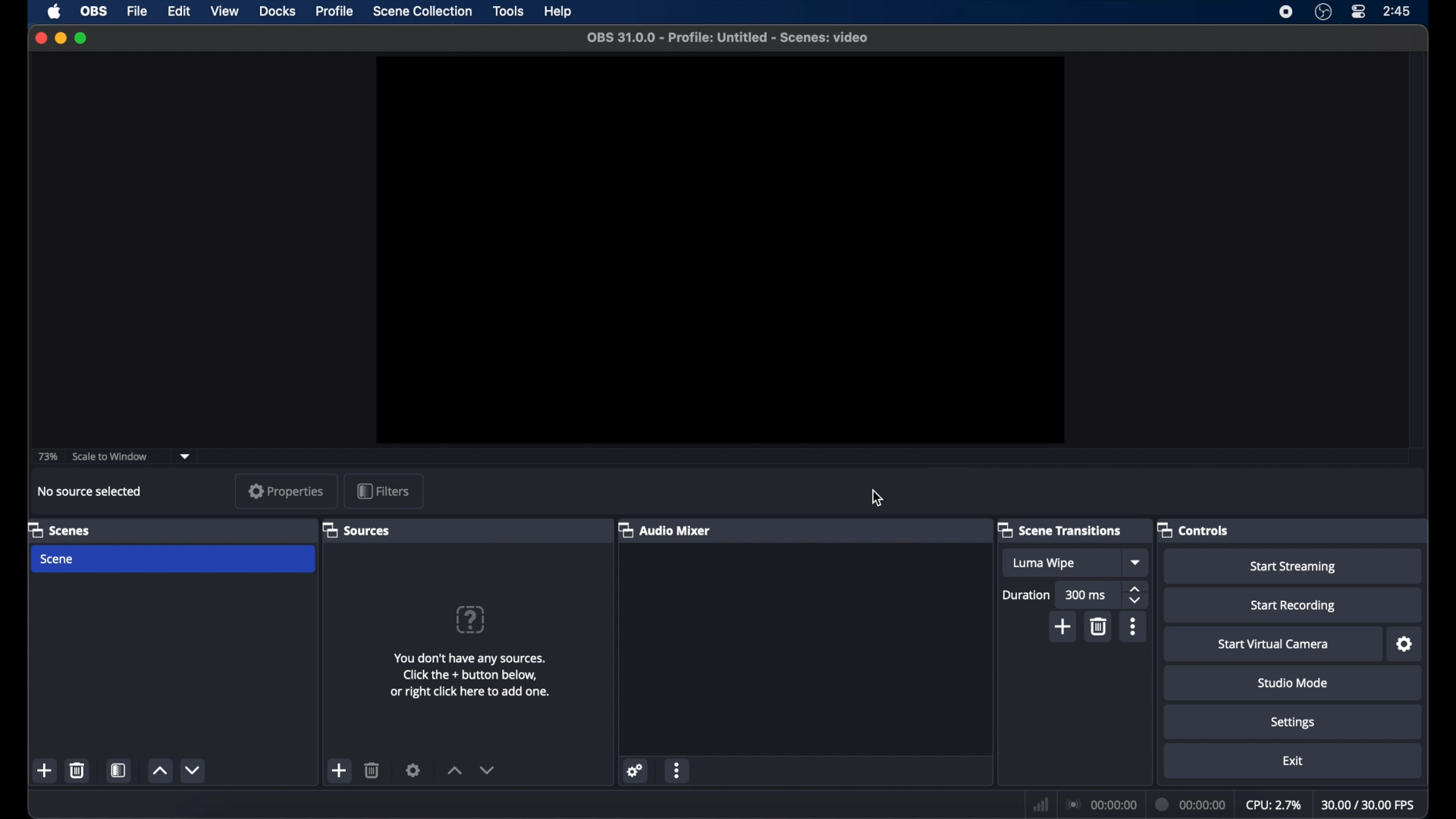 The image size is (1456, 819). What do you see at coordinates (1134, 626) in the screenshot?
I see `more options` at bounding box center [1134, 626].